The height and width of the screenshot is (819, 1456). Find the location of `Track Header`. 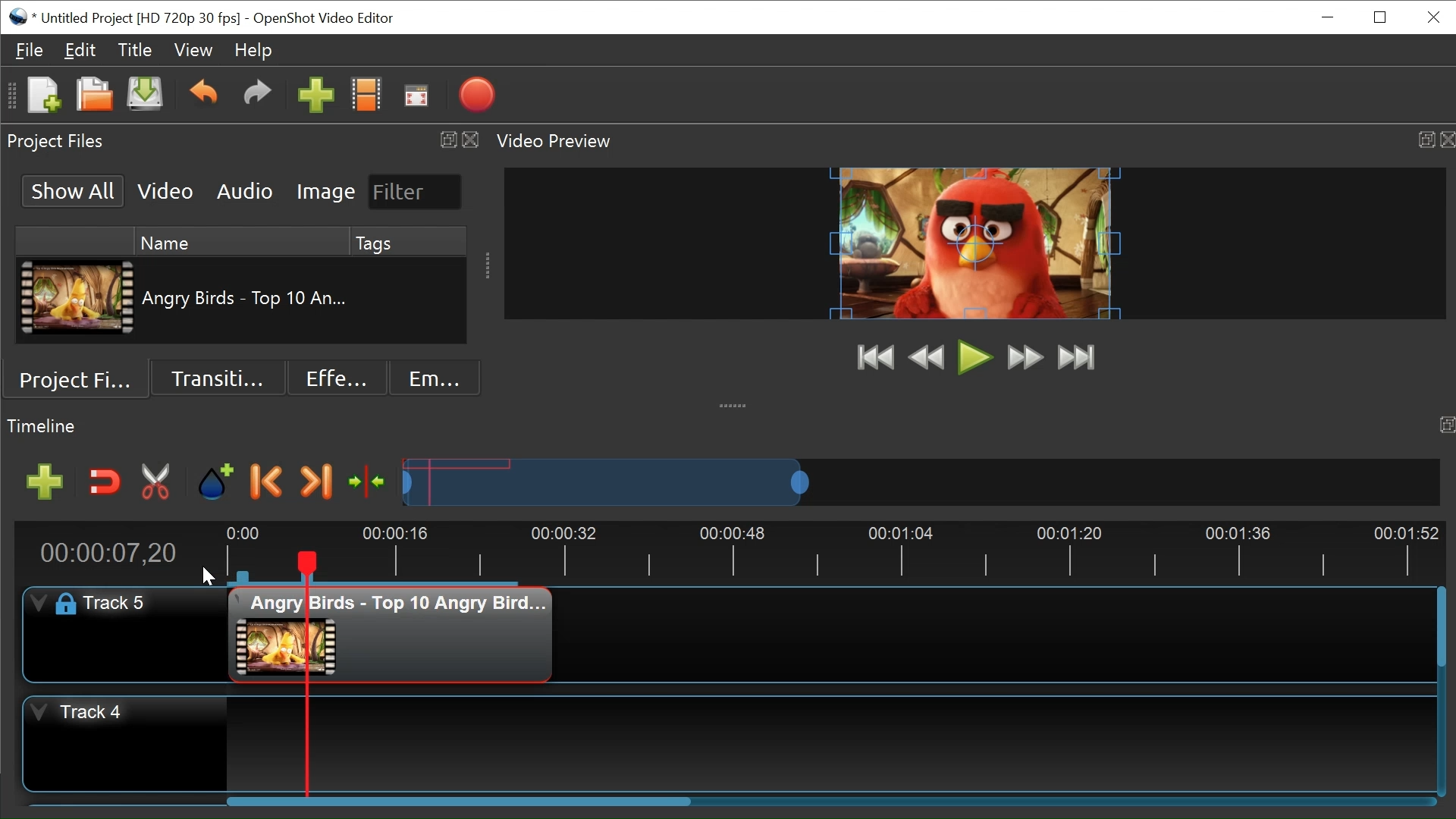

Track Header is located at coordinates (126, 744).